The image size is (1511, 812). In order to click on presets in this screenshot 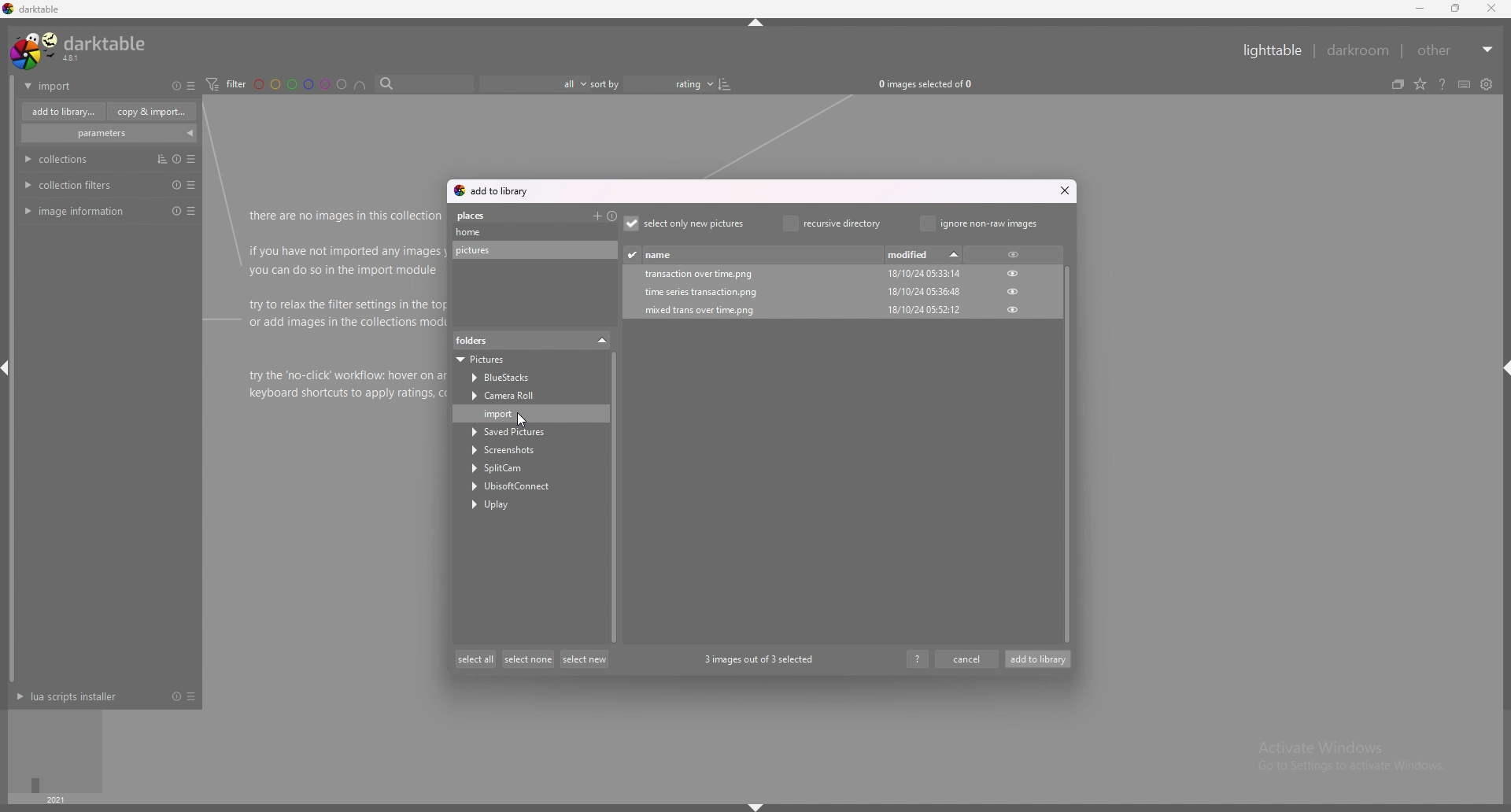, I will do `click(190, 86)`.